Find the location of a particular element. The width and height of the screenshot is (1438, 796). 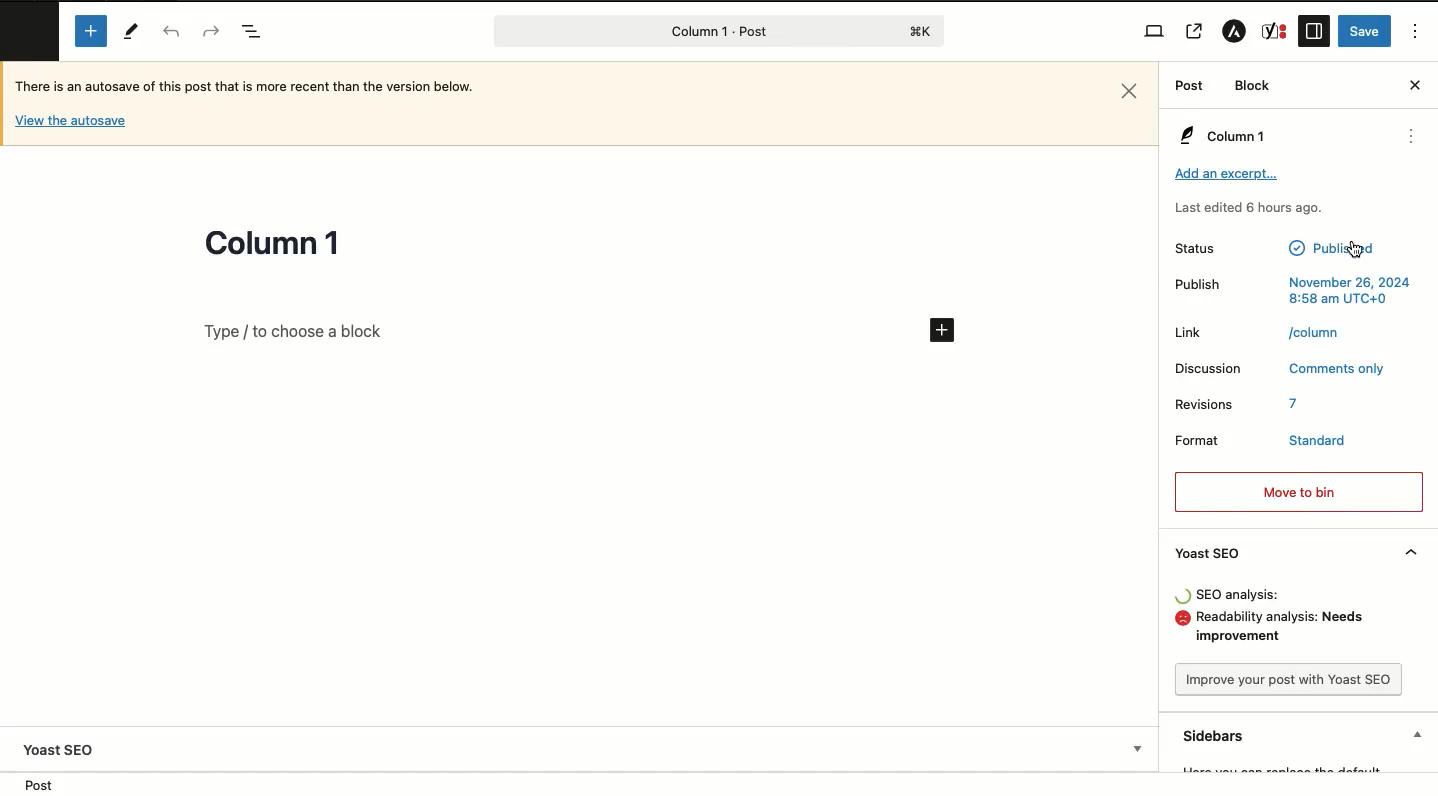

Post is located at coordinates (1188, 87).